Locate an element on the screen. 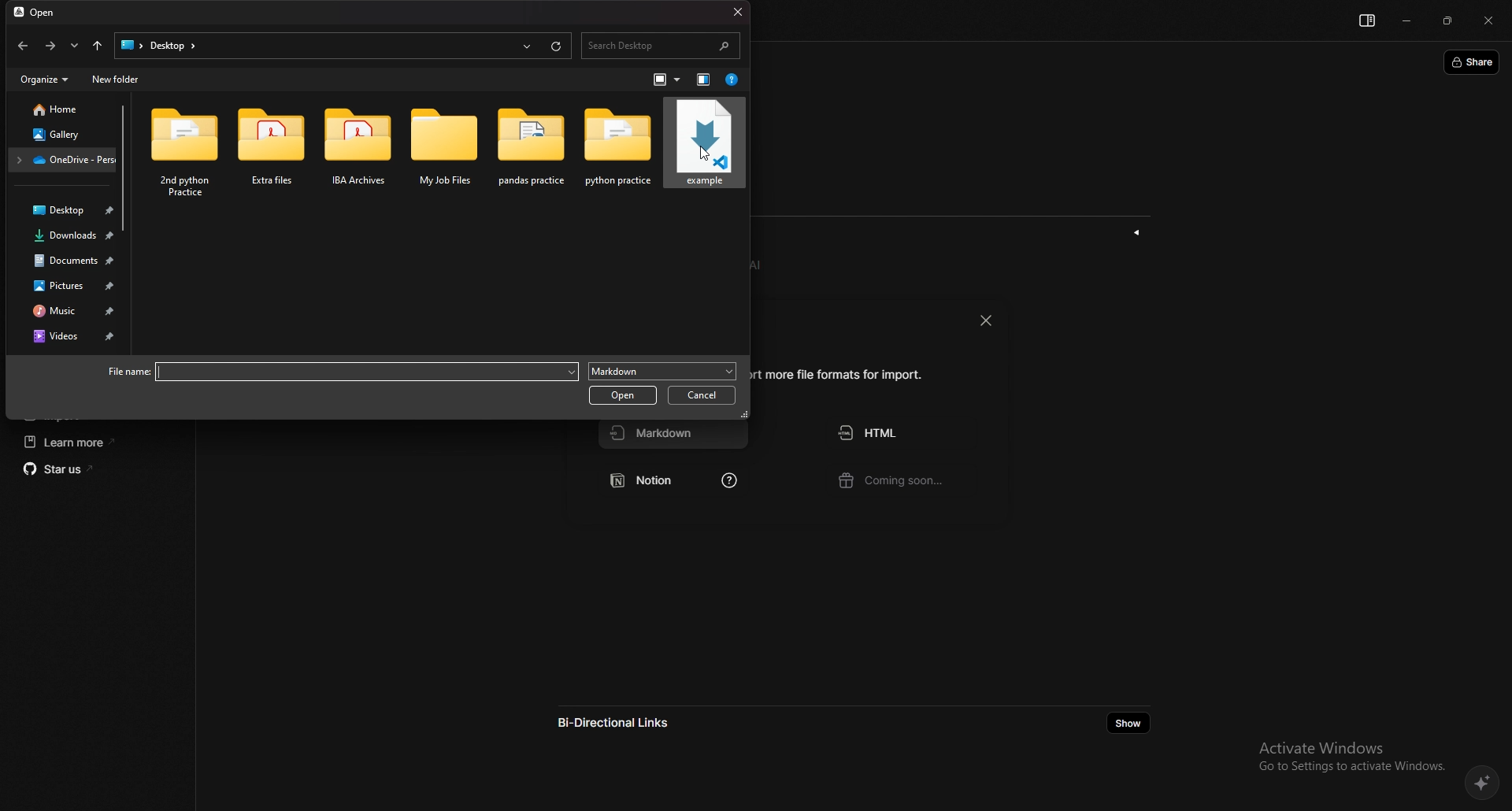 The width and height of the screenshot is (1512, 811). back is located at coordinates (23, 46).